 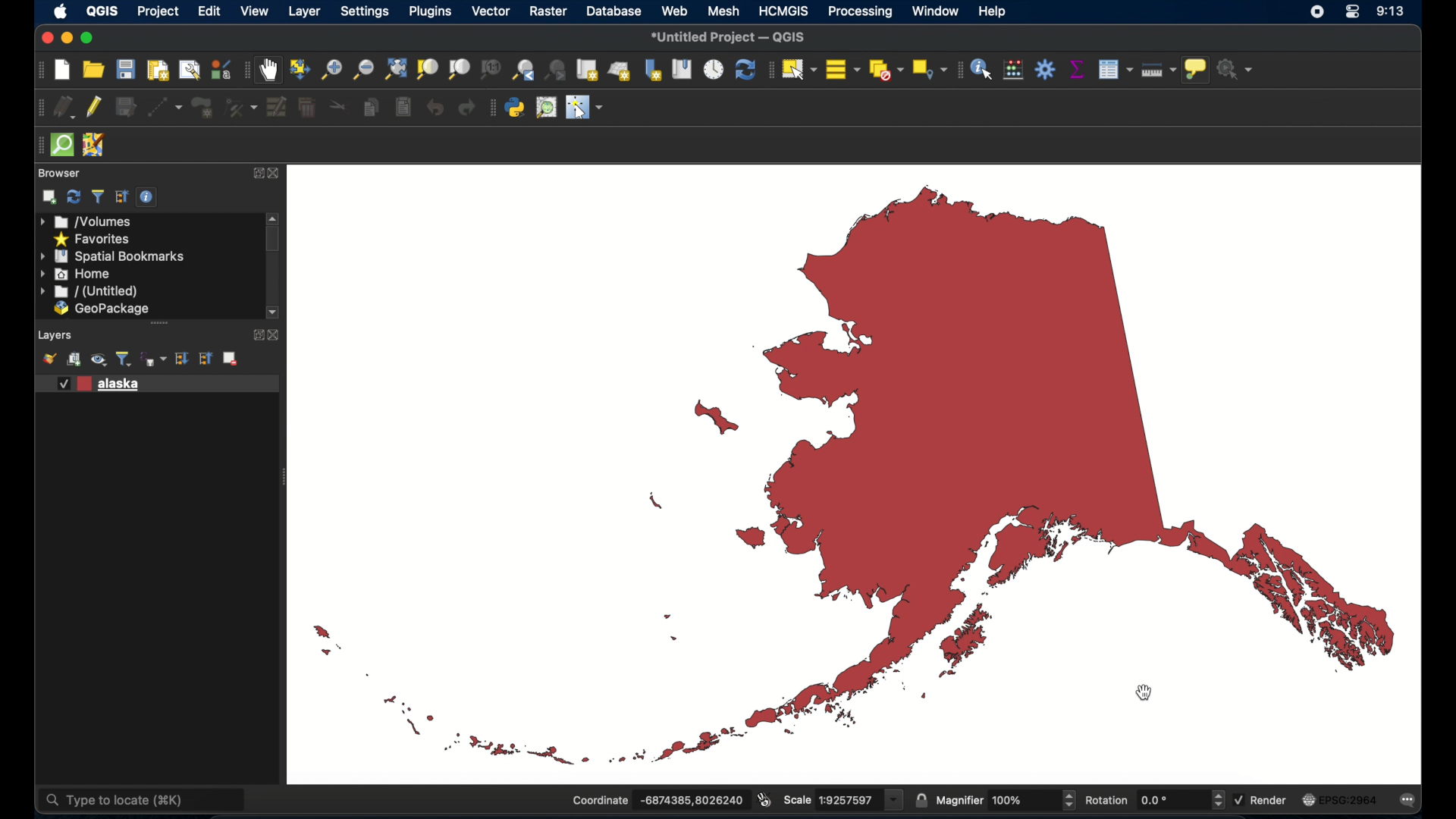 What do you see at coordinates (276, 312) in the screenshot?
I see `scroll down arrow` at bounding box center [276, 312].